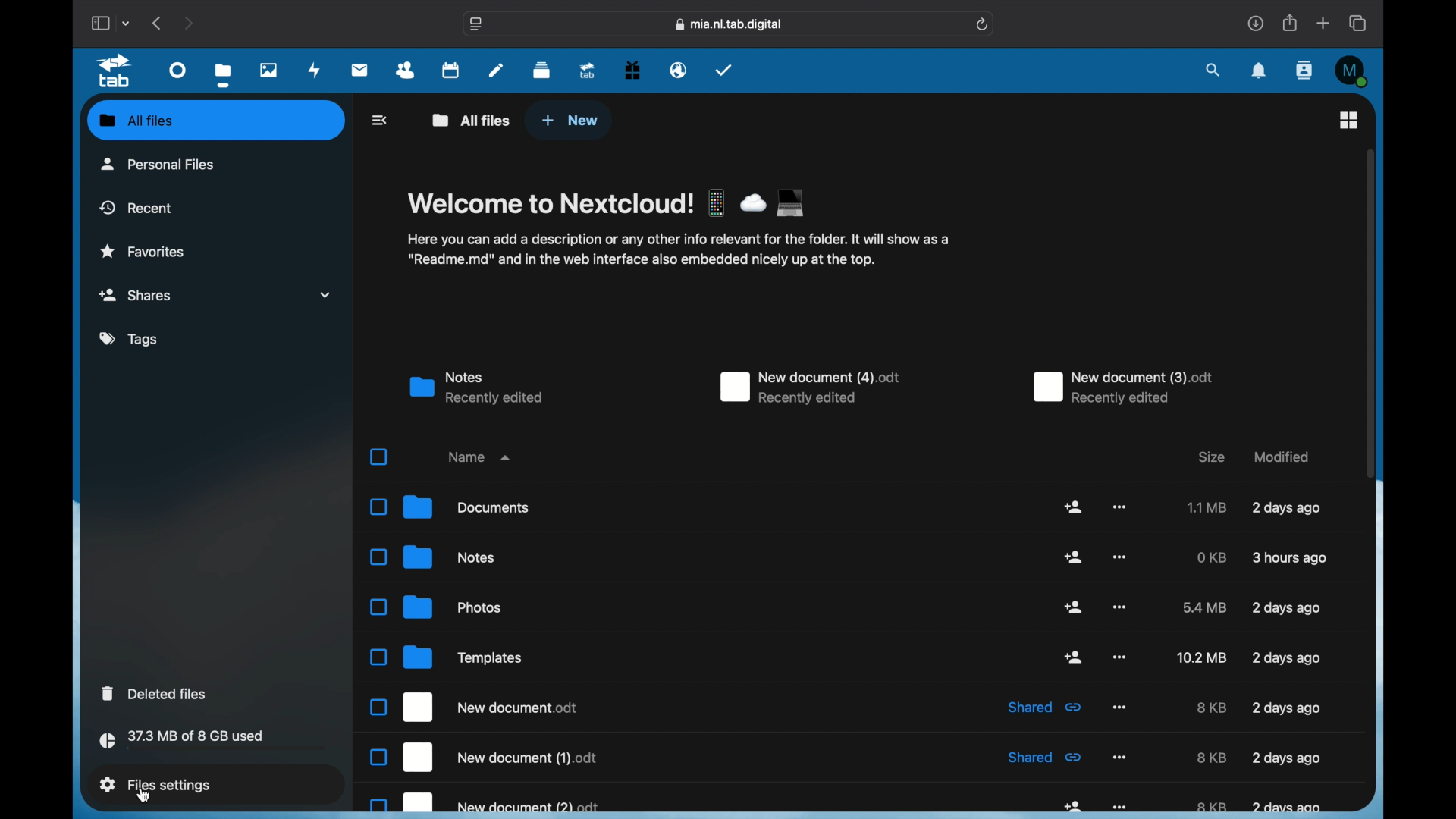 The width and height of the screenshot is (1456, 819). Describe the element at coordinates (99, 23) in the screenshot. I see `show sidebar` at that location.